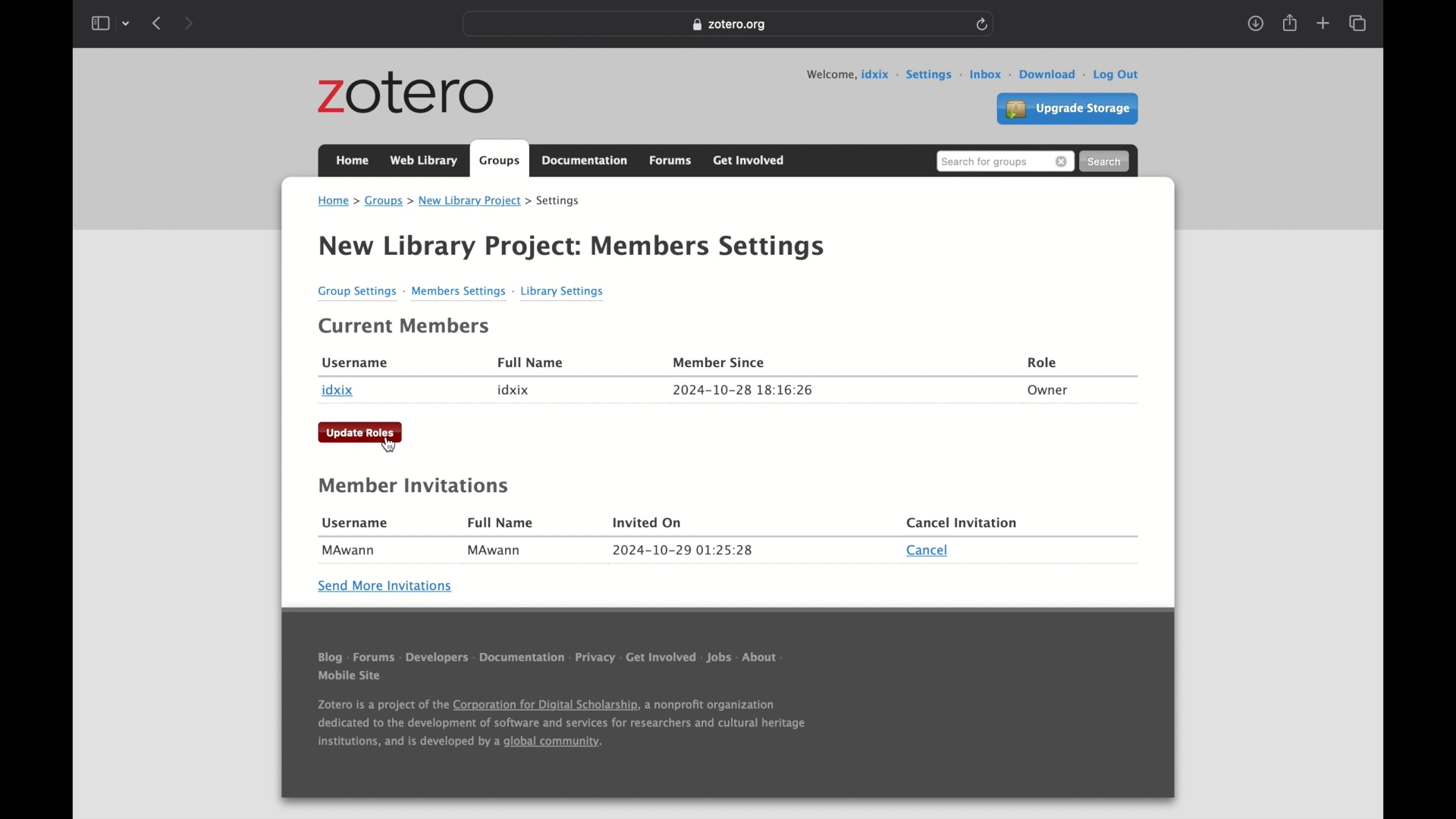 Image resolution: width=1456 pixels, height=819 pixels. I want to click on current members, so click(405, 326).